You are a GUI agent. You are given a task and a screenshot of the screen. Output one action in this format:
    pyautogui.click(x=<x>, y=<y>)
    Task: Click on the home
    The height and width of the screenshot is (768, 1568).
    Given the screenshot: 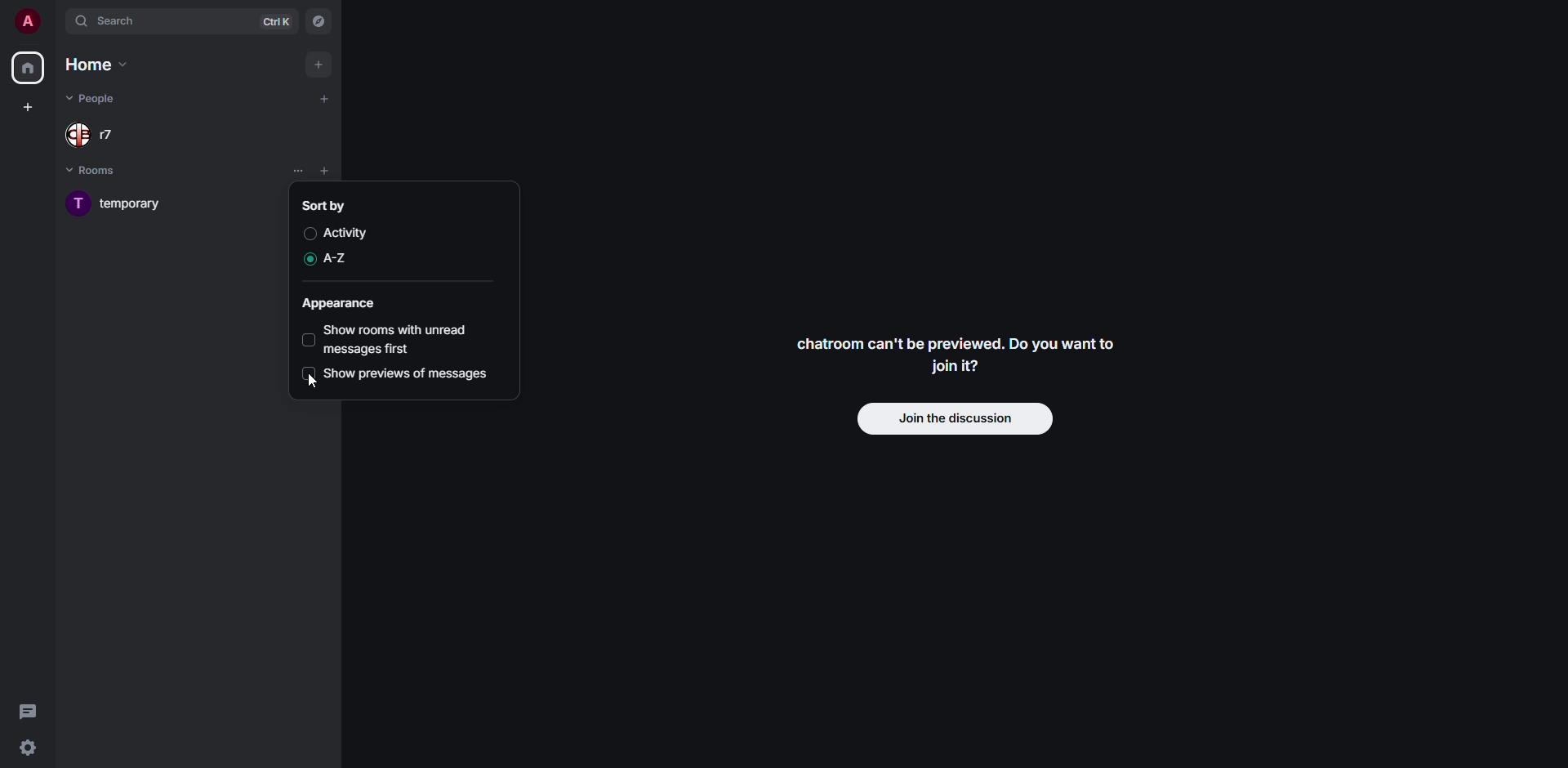 What is the action you would take?
    pyautogui.click(x=27, y=67)
    